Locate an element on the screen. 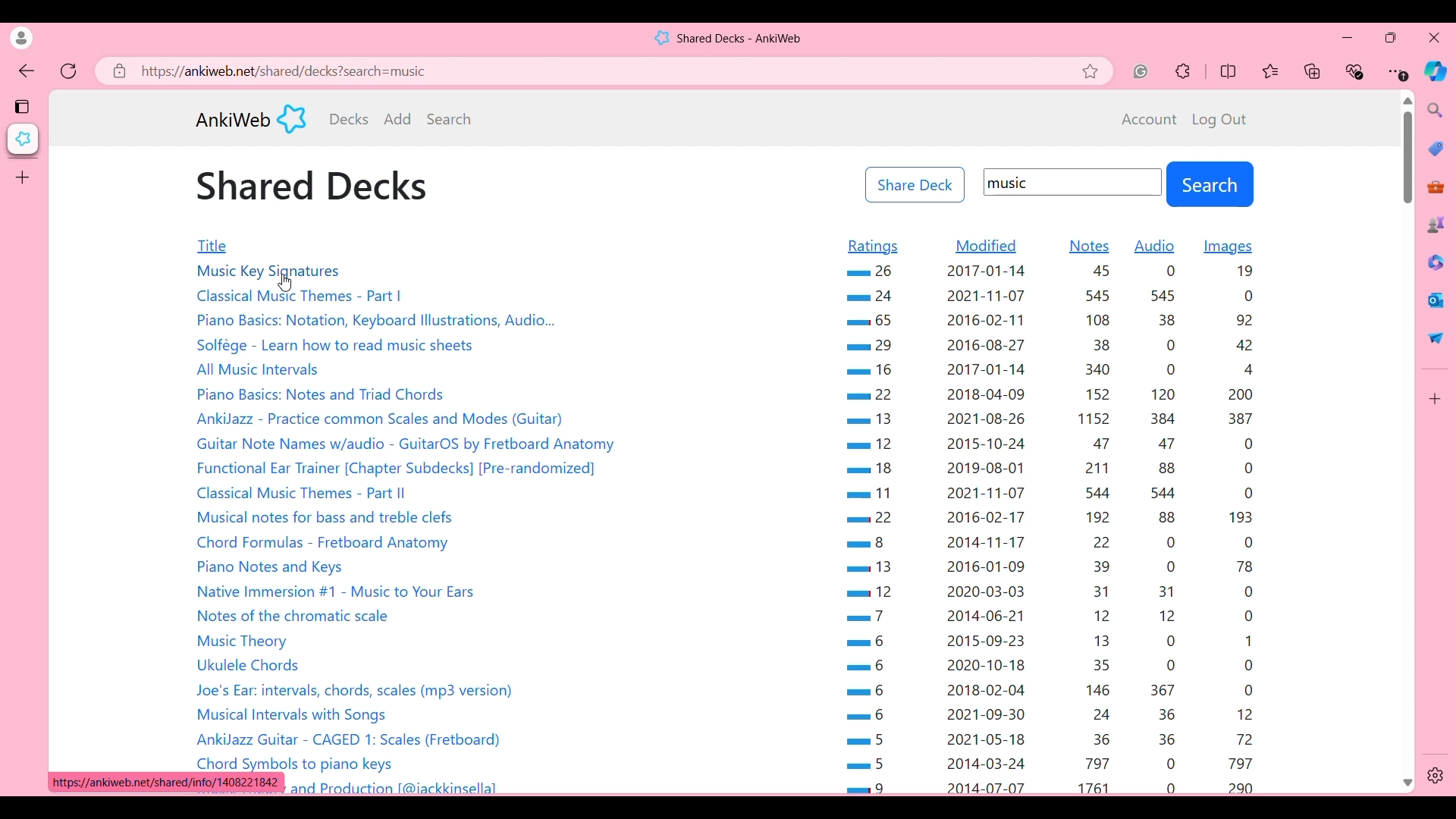 The width and height of the screenshot is (1456, 819). Minimize browser is located at coordinates (1347, 37).